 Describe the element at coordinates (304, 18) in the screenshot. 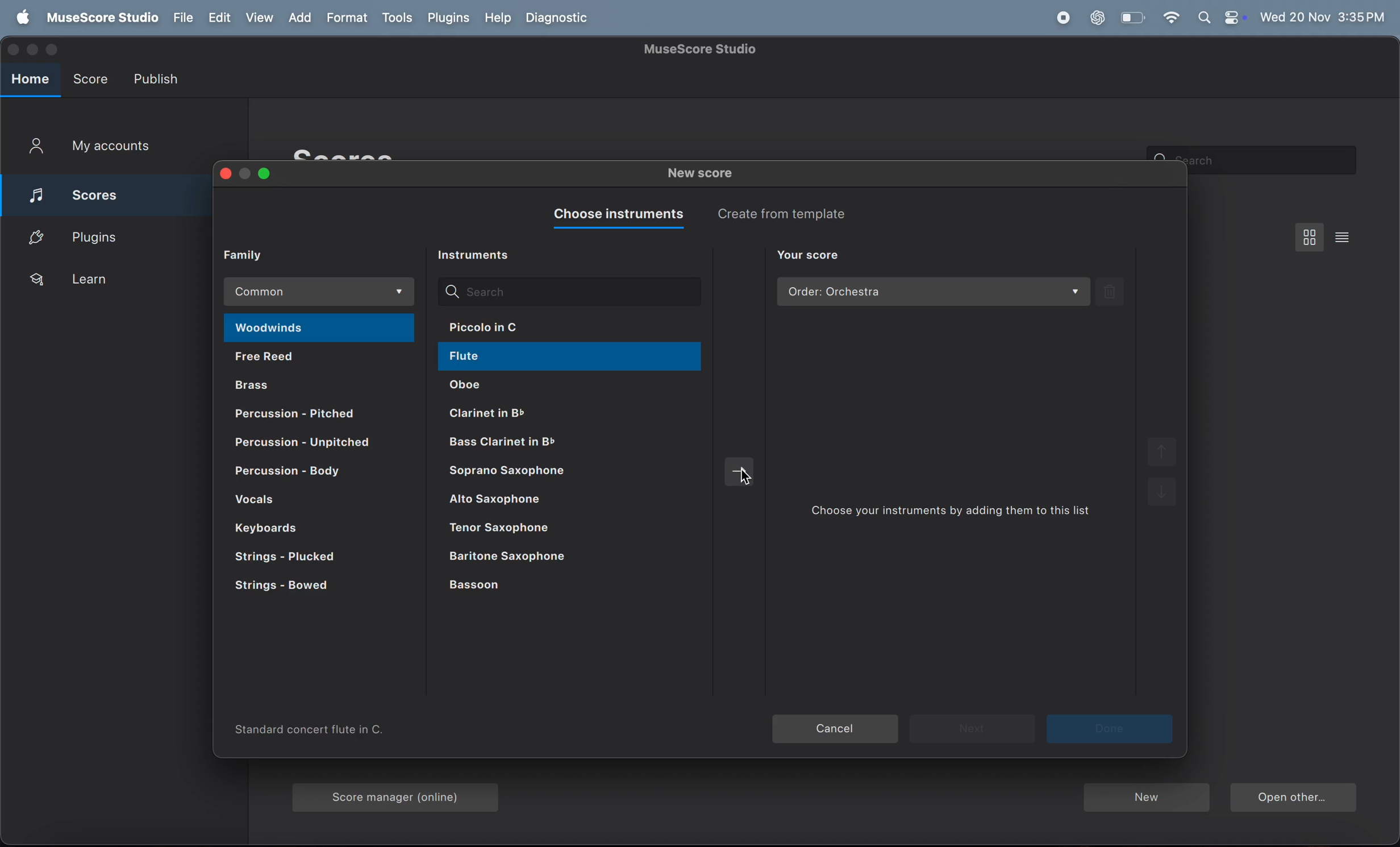

I see `add` at that location.